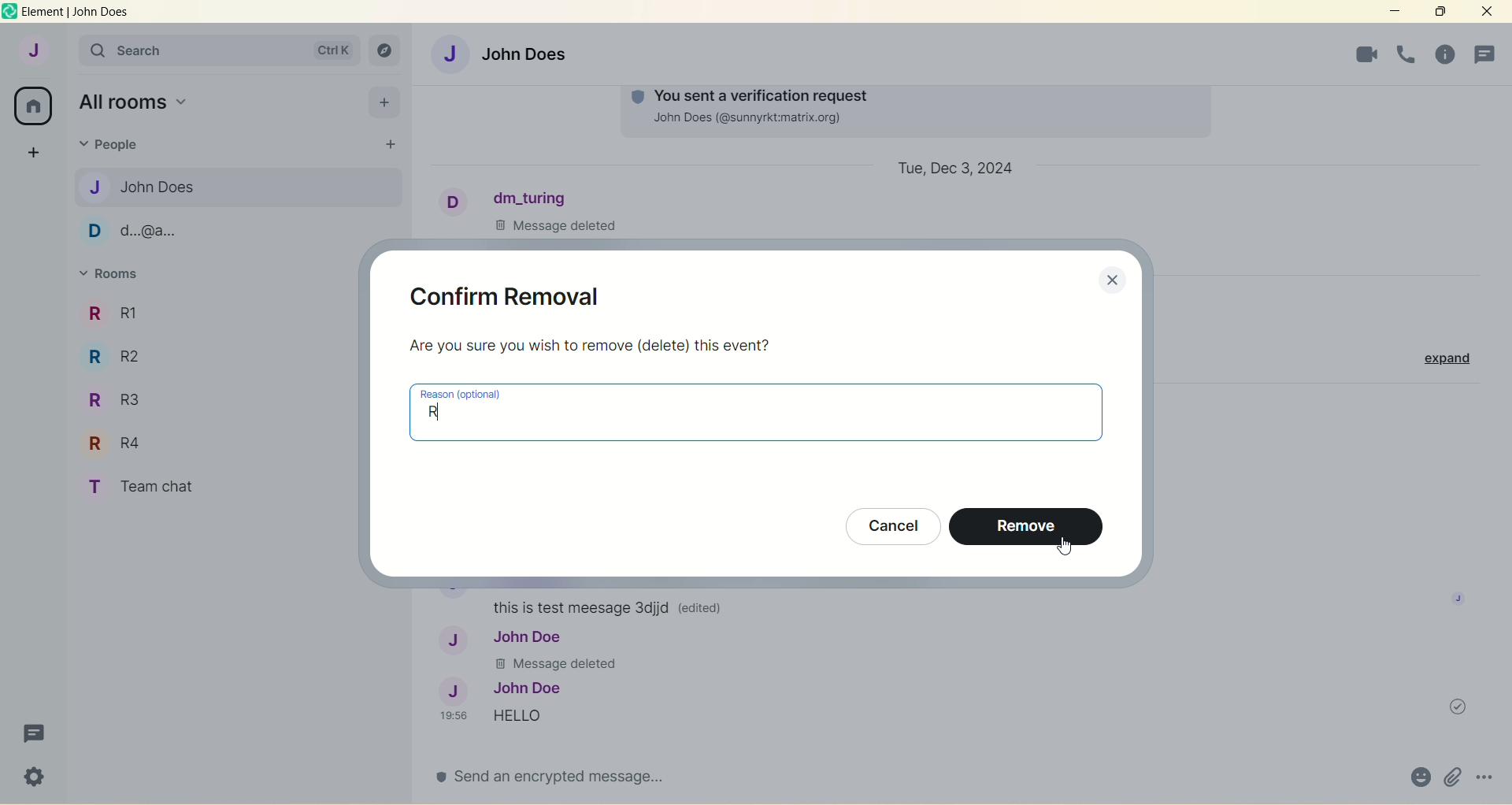 This screenshot has height=805, width=1512. I want to click on this is test message Sdjjd (edited), so click(616, 607).